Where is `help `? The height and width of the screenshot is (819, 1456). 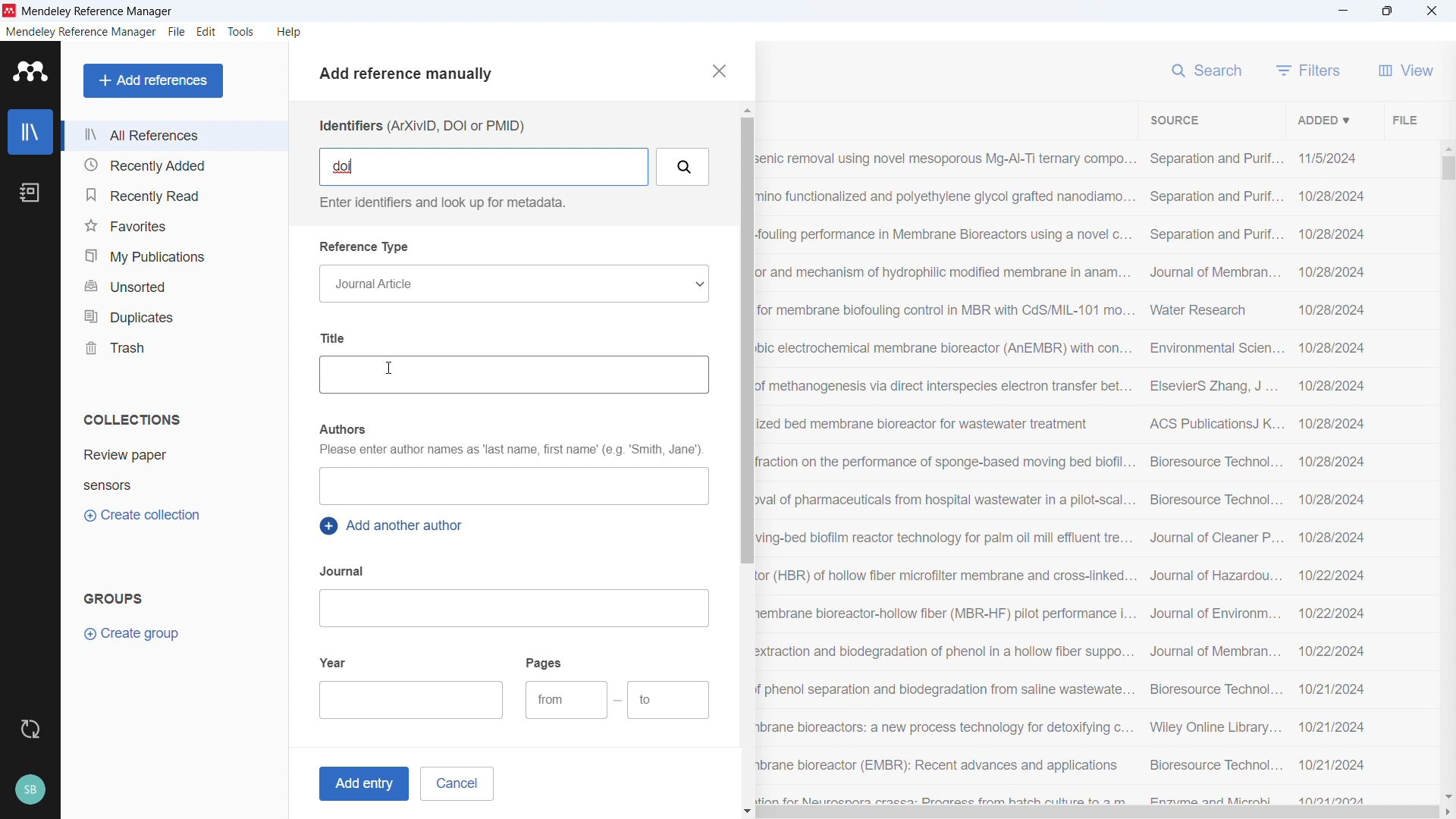 help  is located at coordinates (290, 32).